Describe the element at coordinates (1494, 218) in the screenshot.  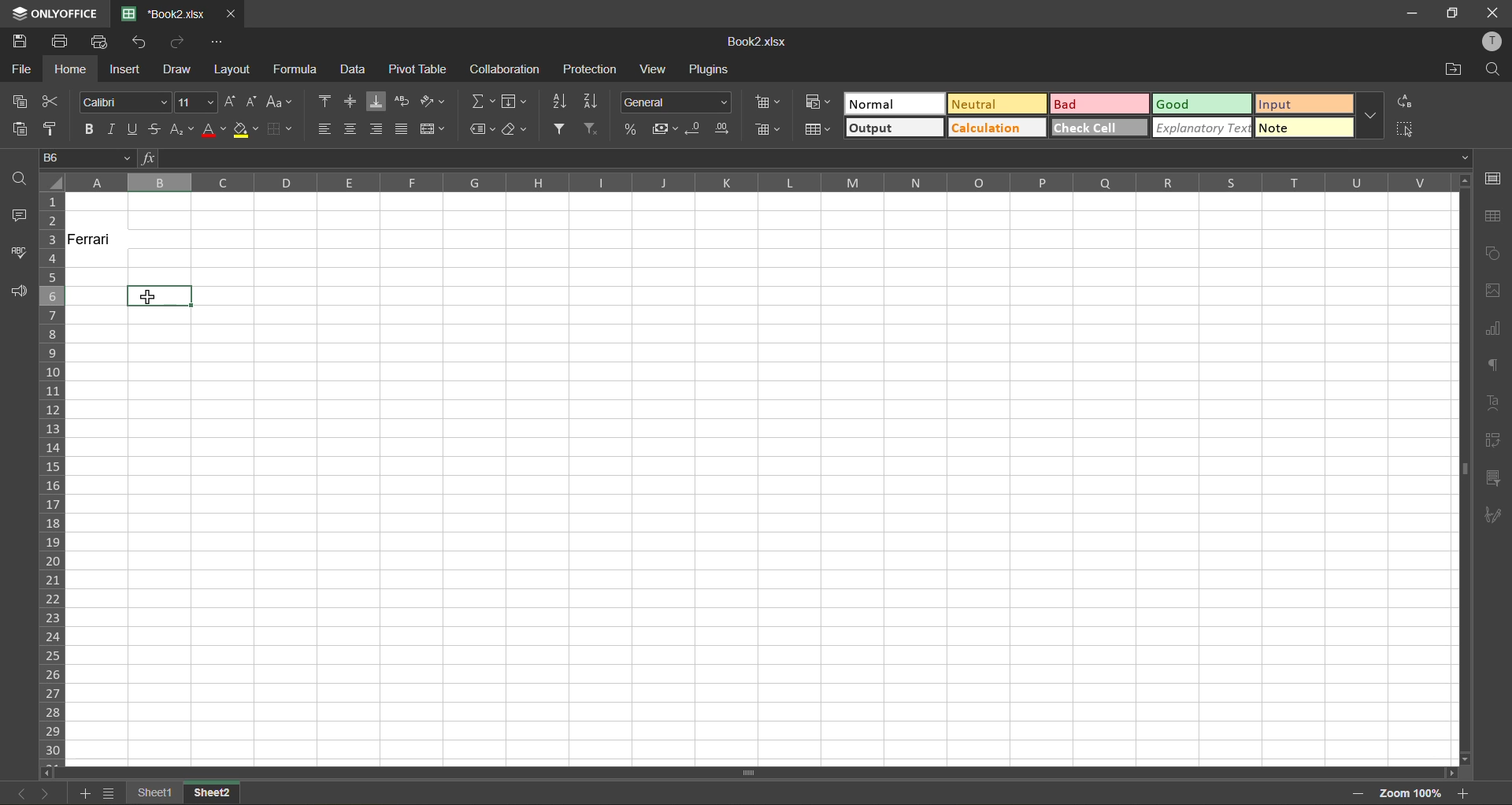
I see `table` at that location.